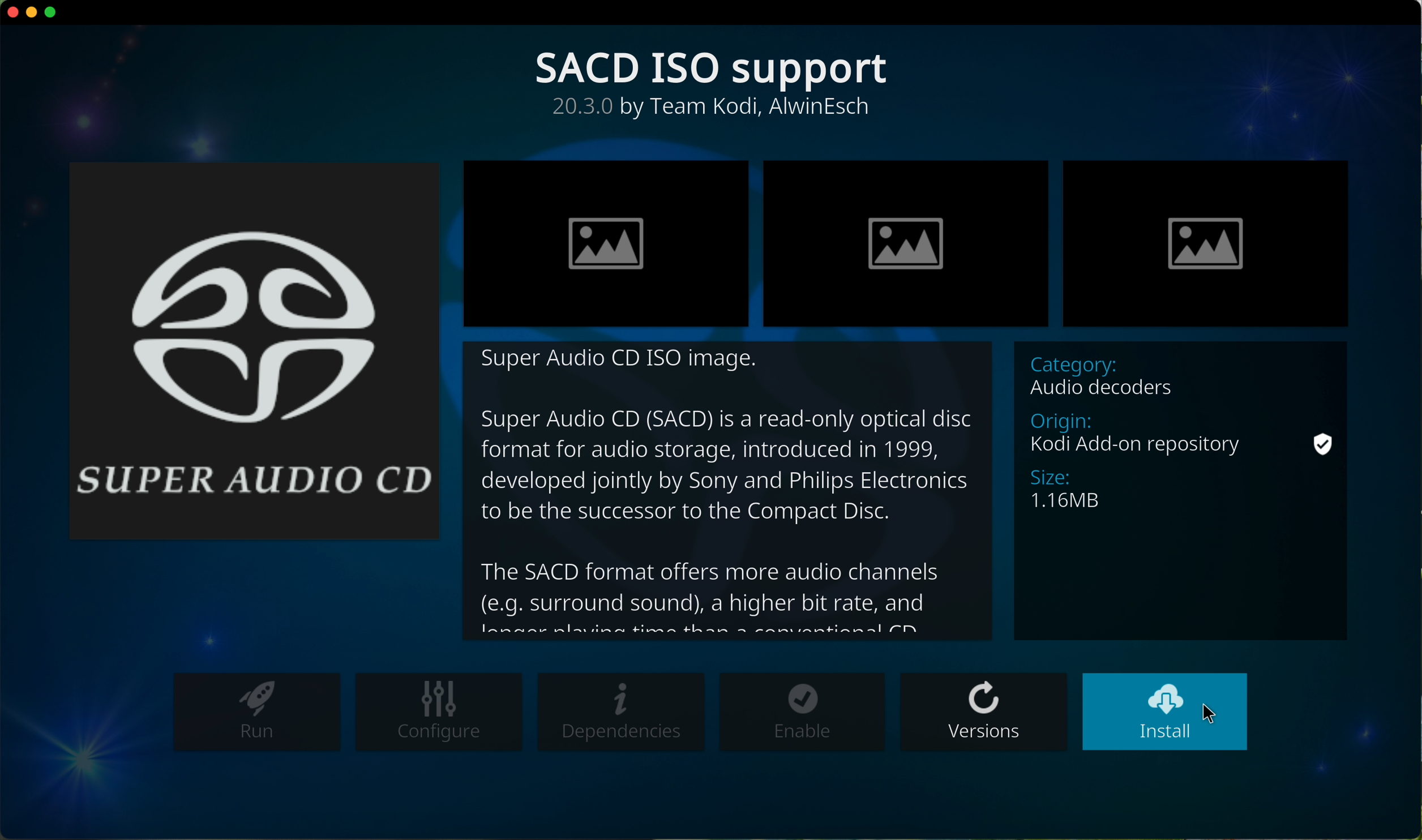 The image size is (1422, 840). I want to click on maximize, so click(55, 15).